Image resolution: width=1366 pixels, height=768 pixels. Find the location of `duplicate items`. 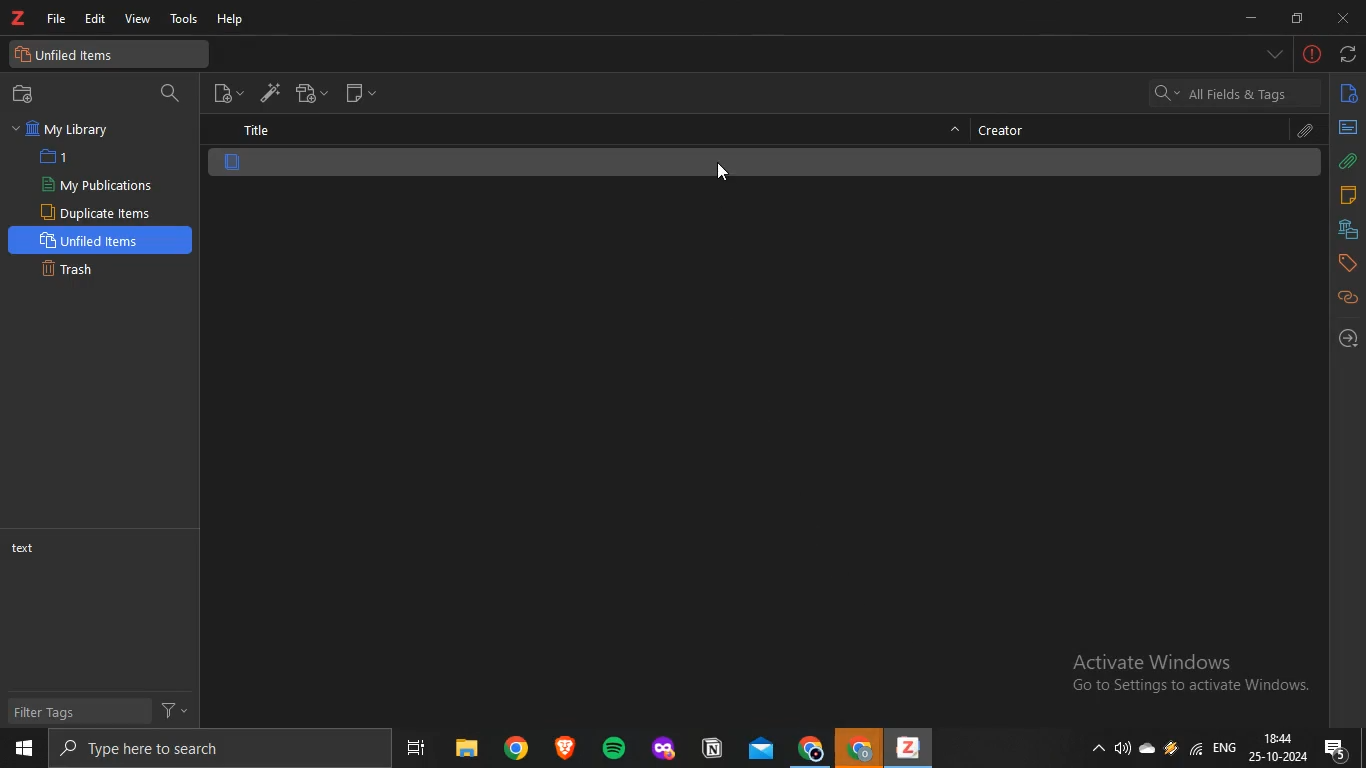

duplicate items is located at coordinates (99, 212).